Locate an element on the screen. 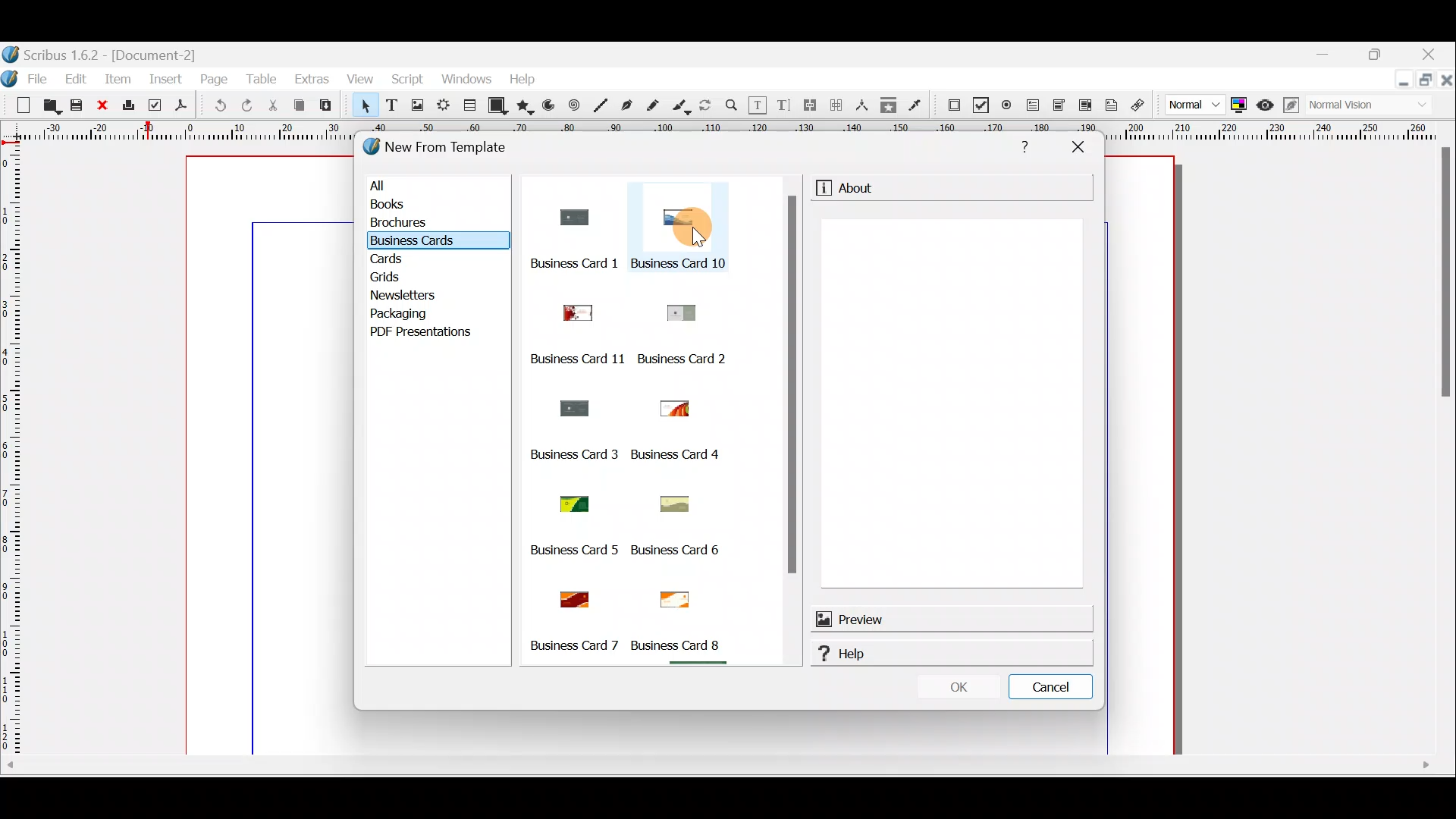 The height and width of the screenshot is (819, 1456). Minimise is located at coordinates (1328, 58).